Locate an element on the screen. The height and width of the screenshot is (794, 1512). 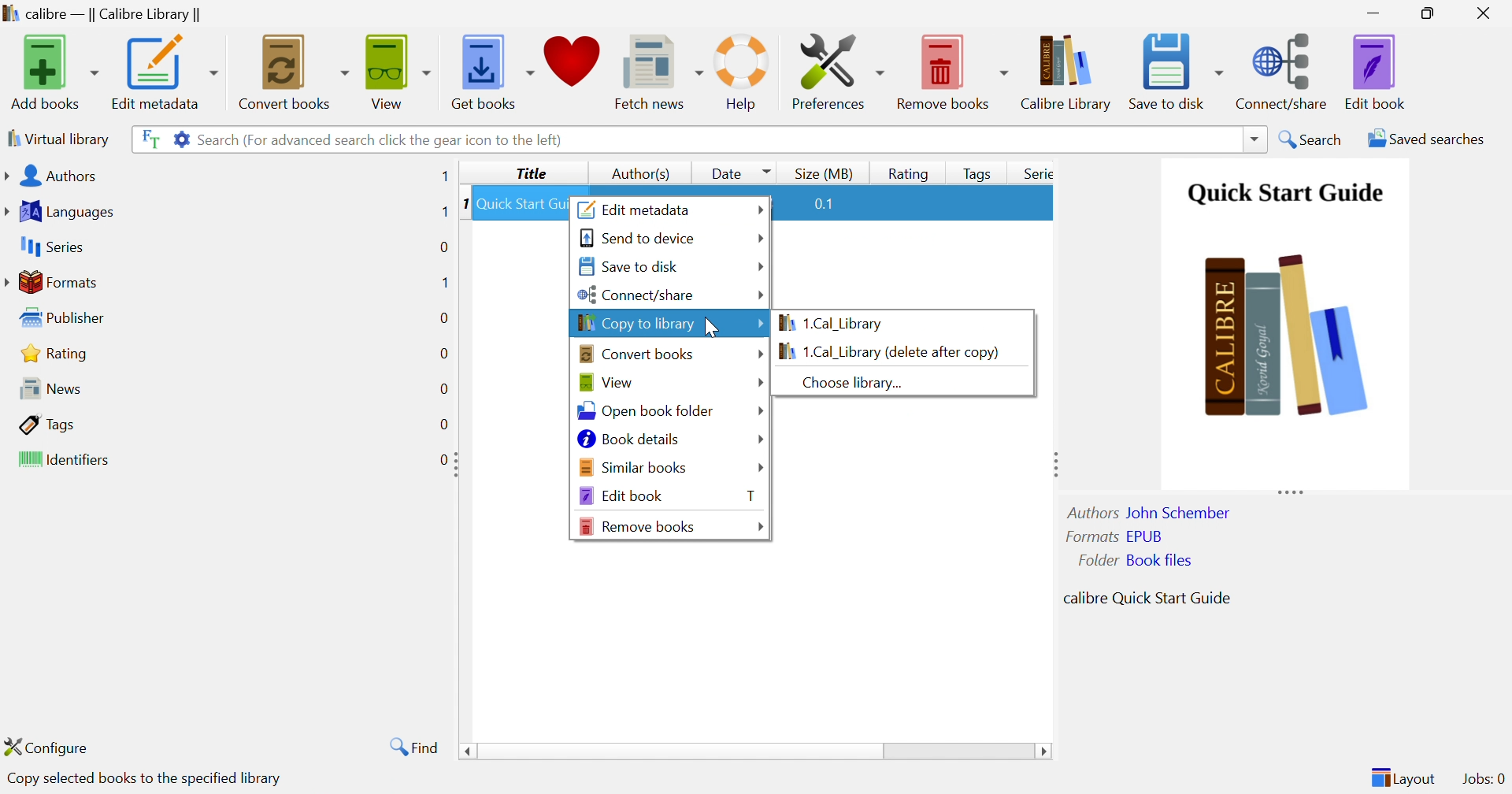
Authors: John Schember is located at coordinates (1151, 511).